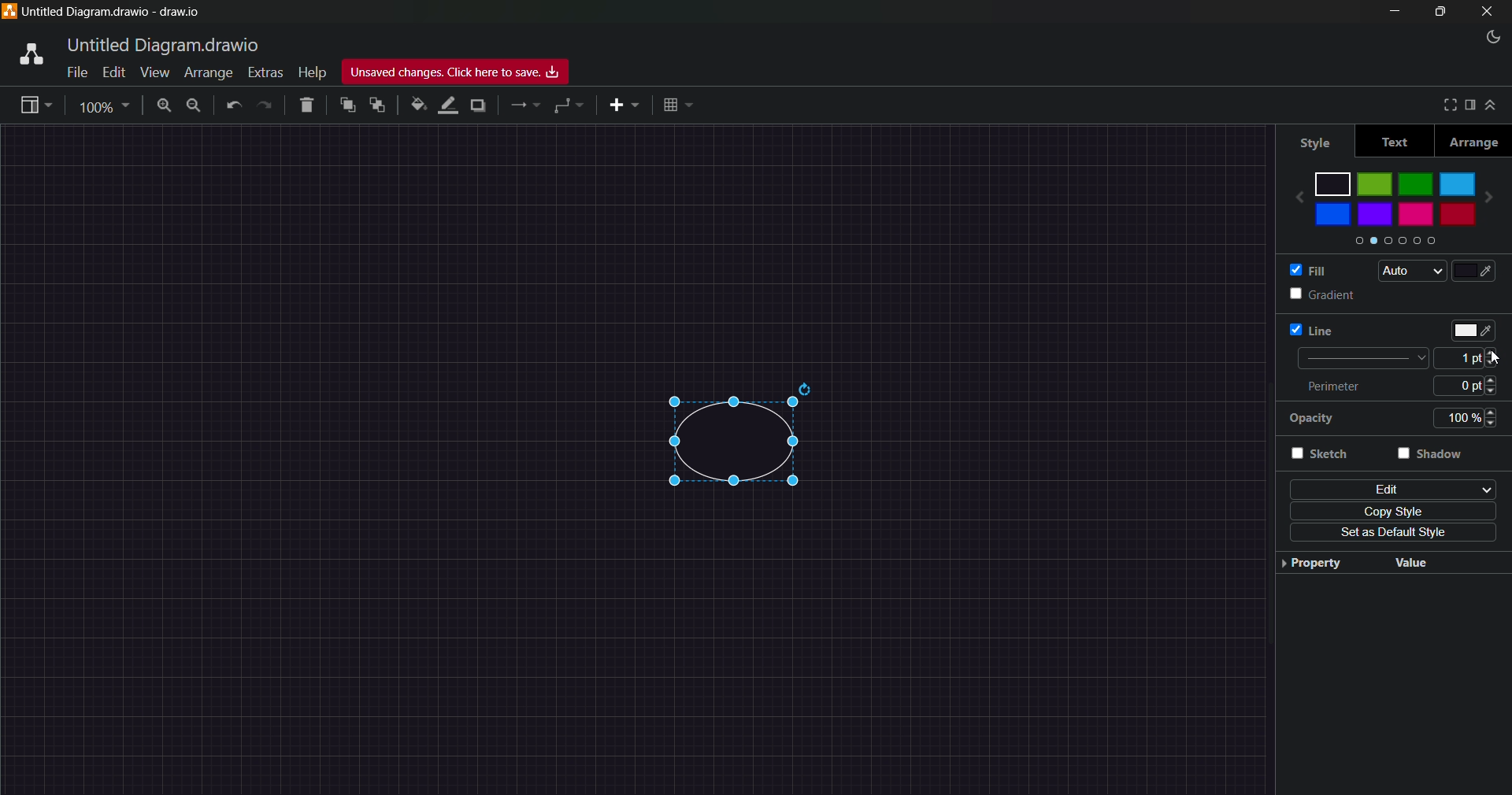  Describe the element at coordinates (1493, 198) in the screenshot. I see `next` at that location.